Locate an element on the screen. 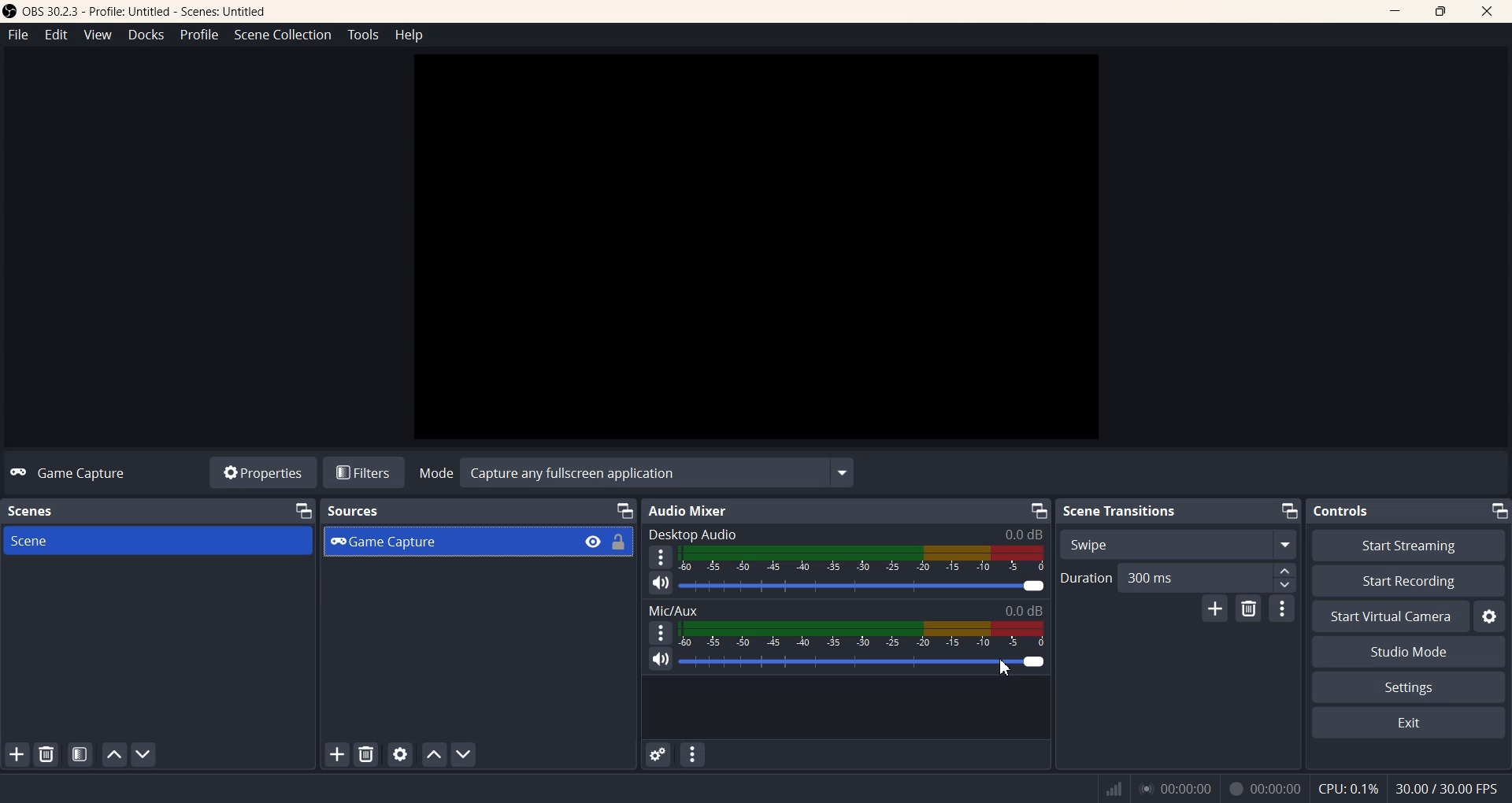  Scene is located at coordinates (157, 542).